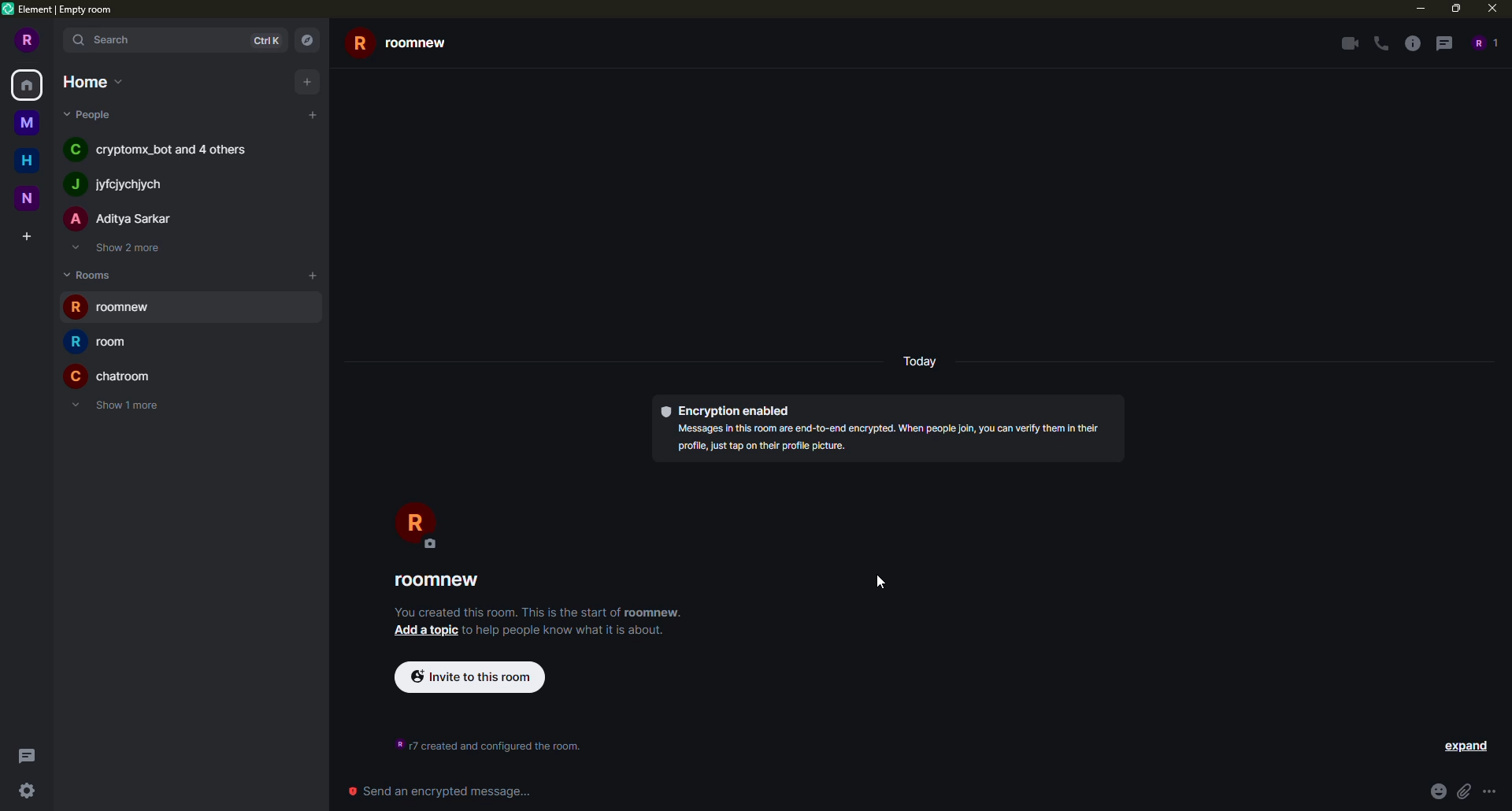 Image resolution: width=1512 pixels, height=811 pixels. I want to click on cursor, so click(881, 585).